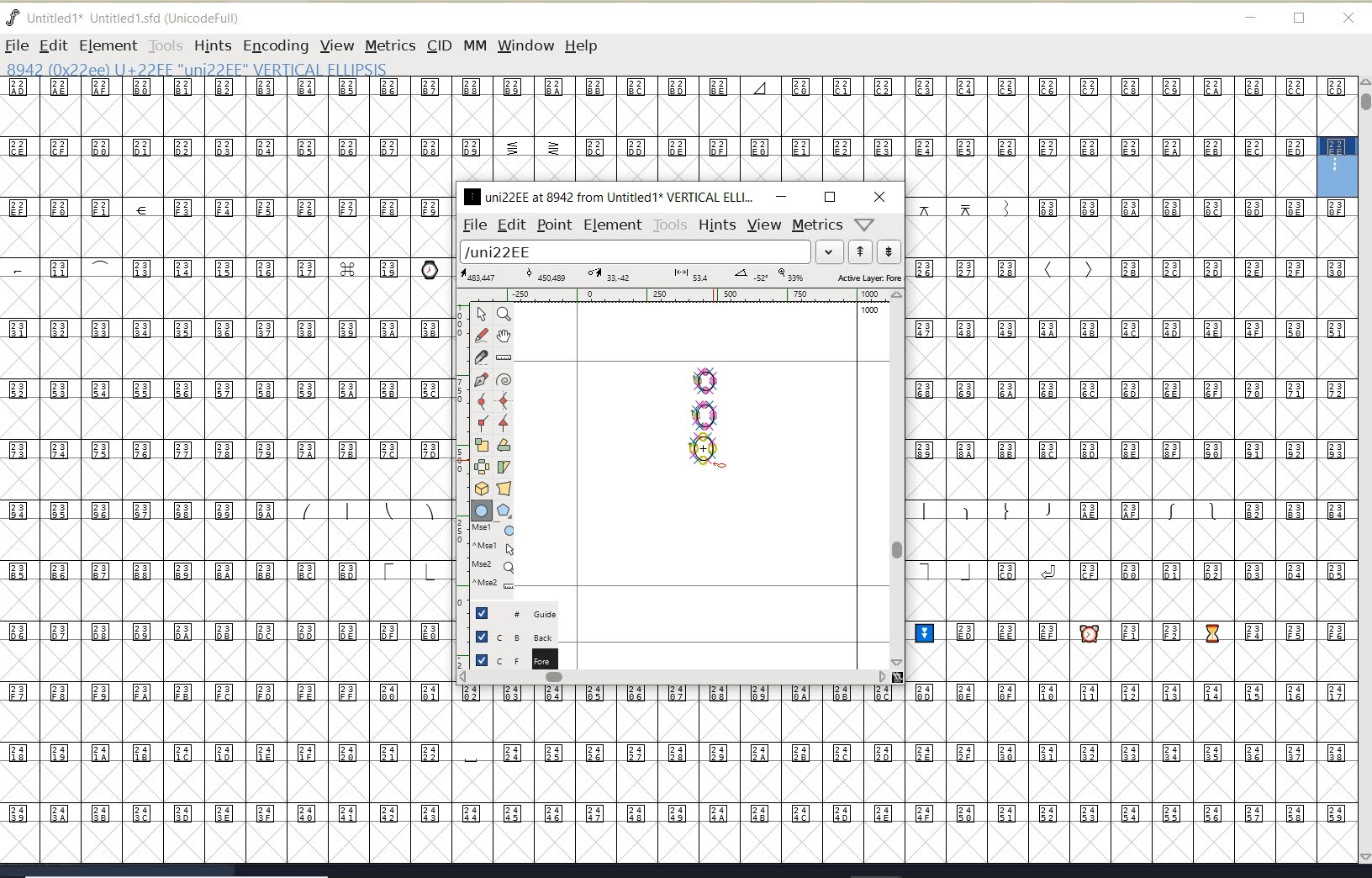  What do you see at coordinates (481, 357) in the screenshot?
I see `cut splines in two` at bounding box center [481, 357].